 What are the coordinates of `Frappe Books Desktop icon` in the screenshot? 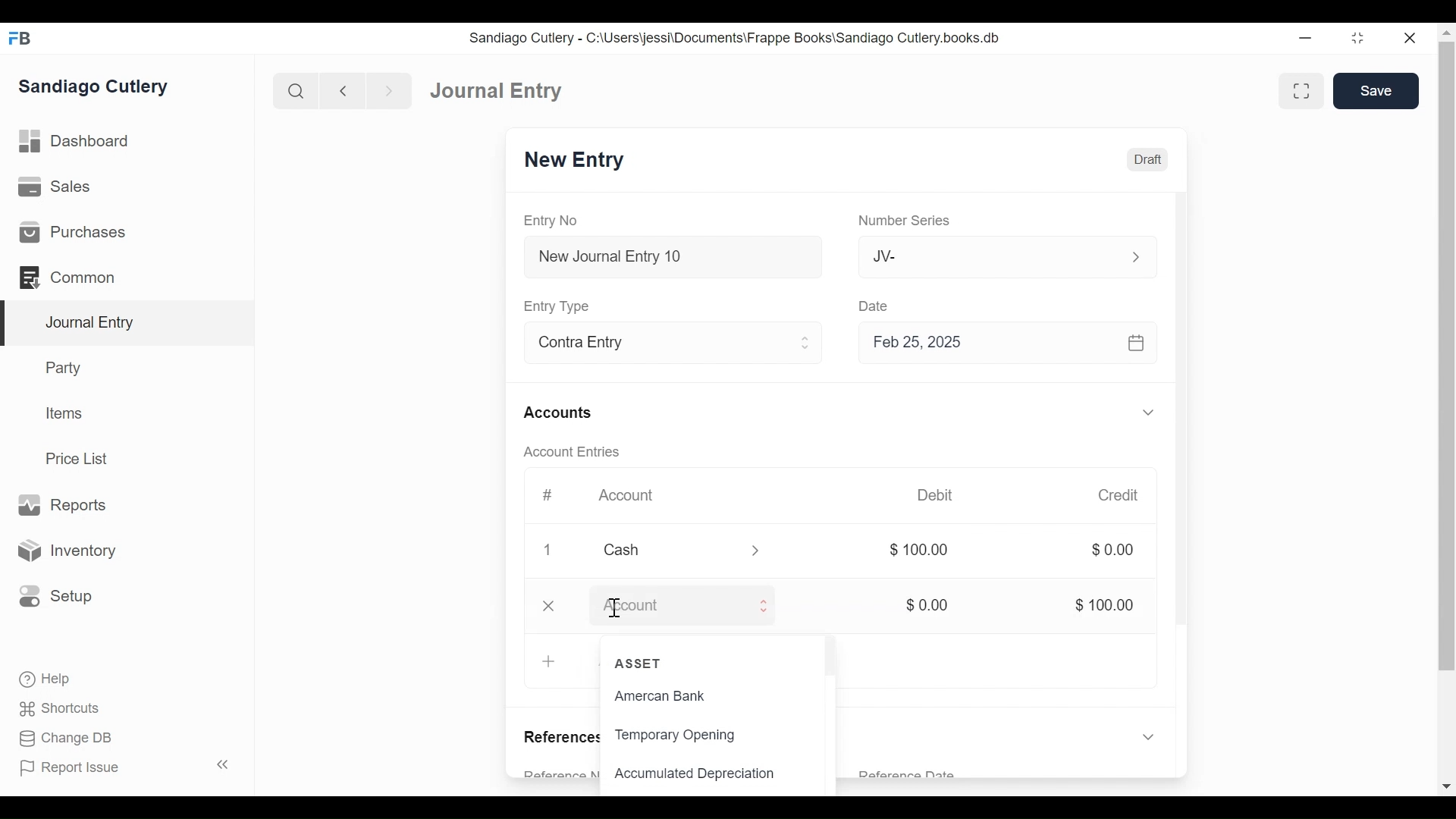 It's located at (19, 38).